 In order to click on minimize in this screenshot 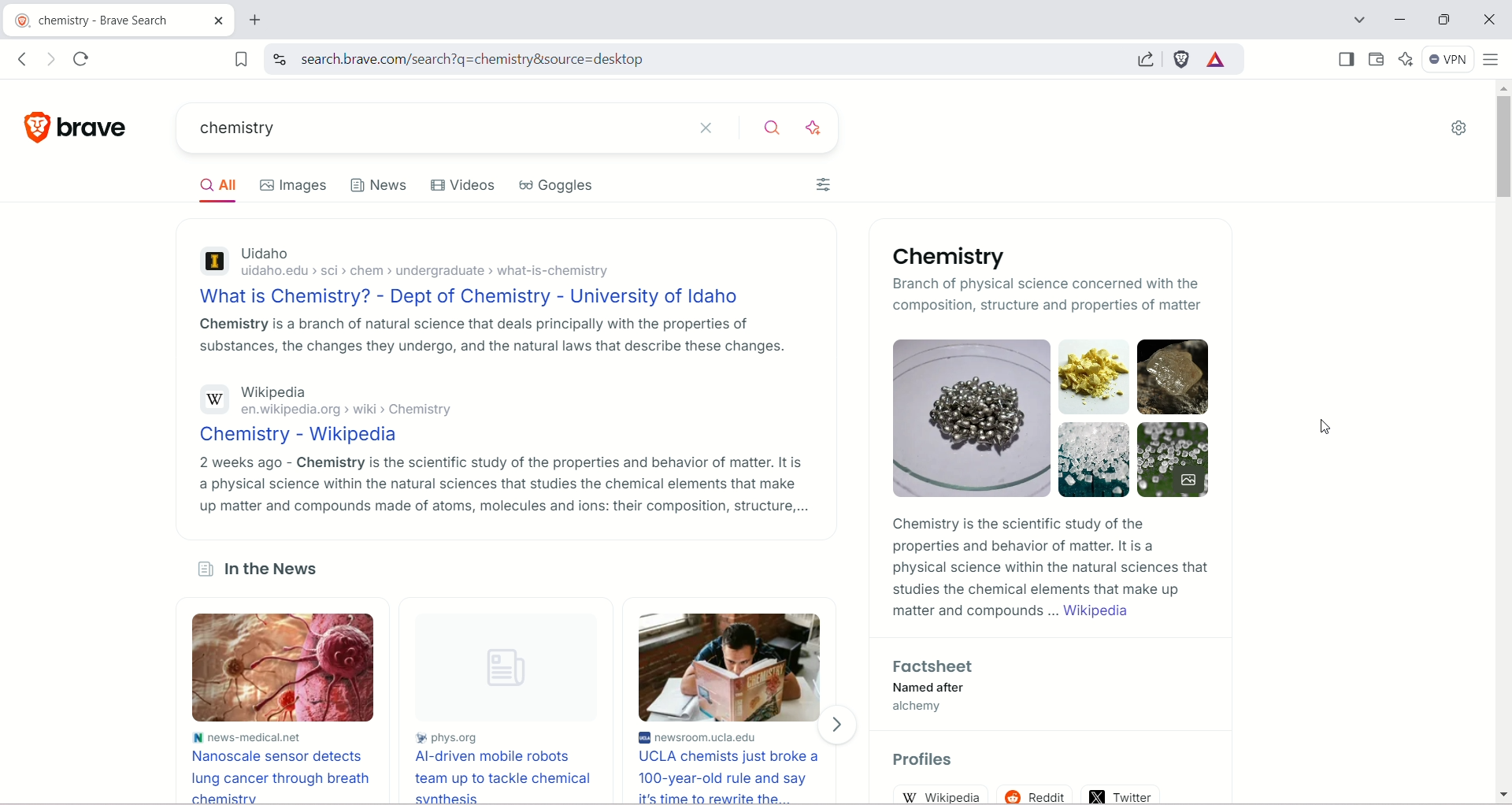, I will do `click(1399, 20)`.